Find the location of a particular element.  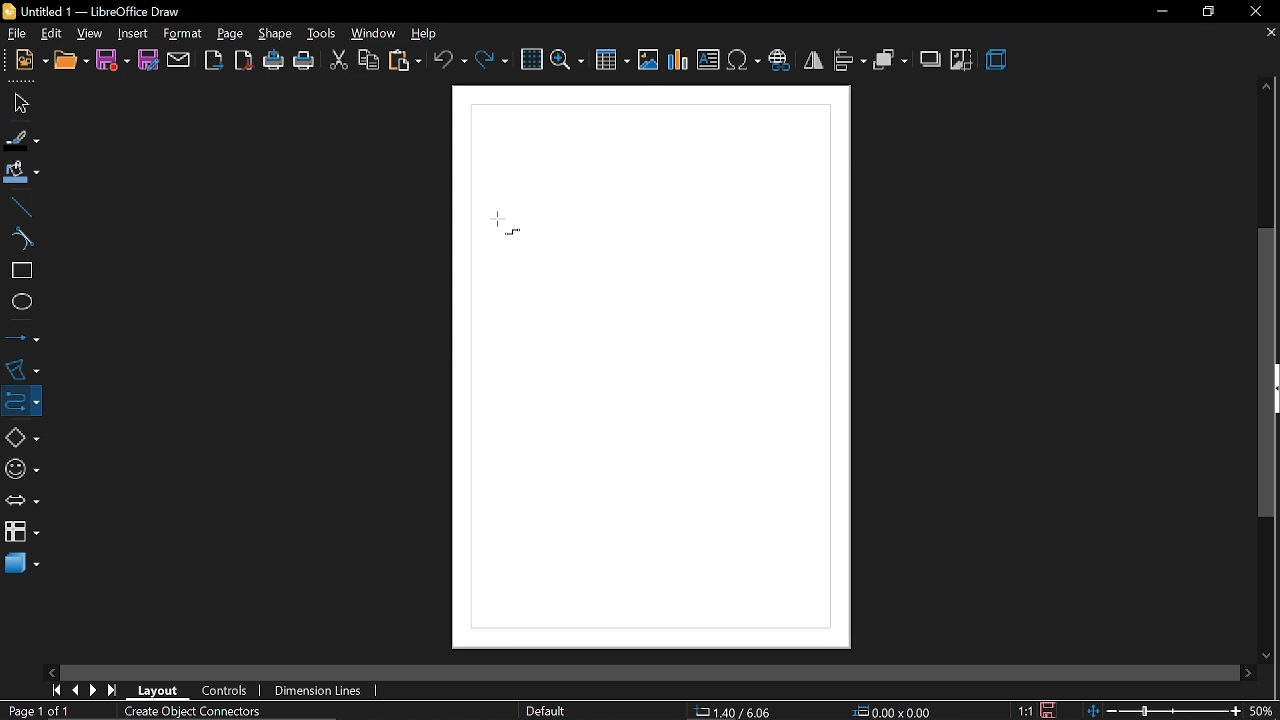

close current tab is located at coordinates (1270, 37).